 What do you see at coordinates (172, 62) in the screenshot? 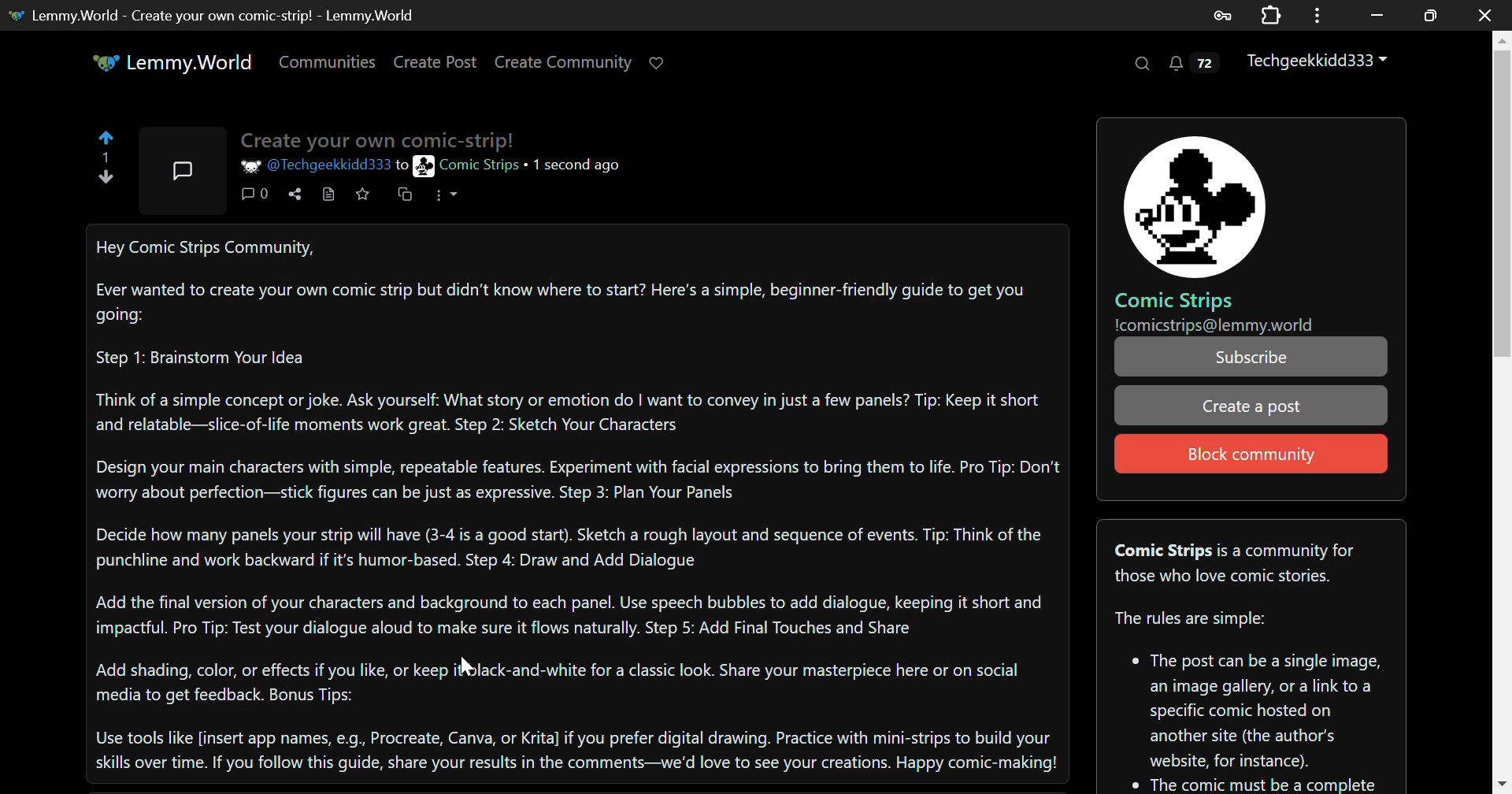
I see `Lemmy.World` at bounding box center [172, 62].